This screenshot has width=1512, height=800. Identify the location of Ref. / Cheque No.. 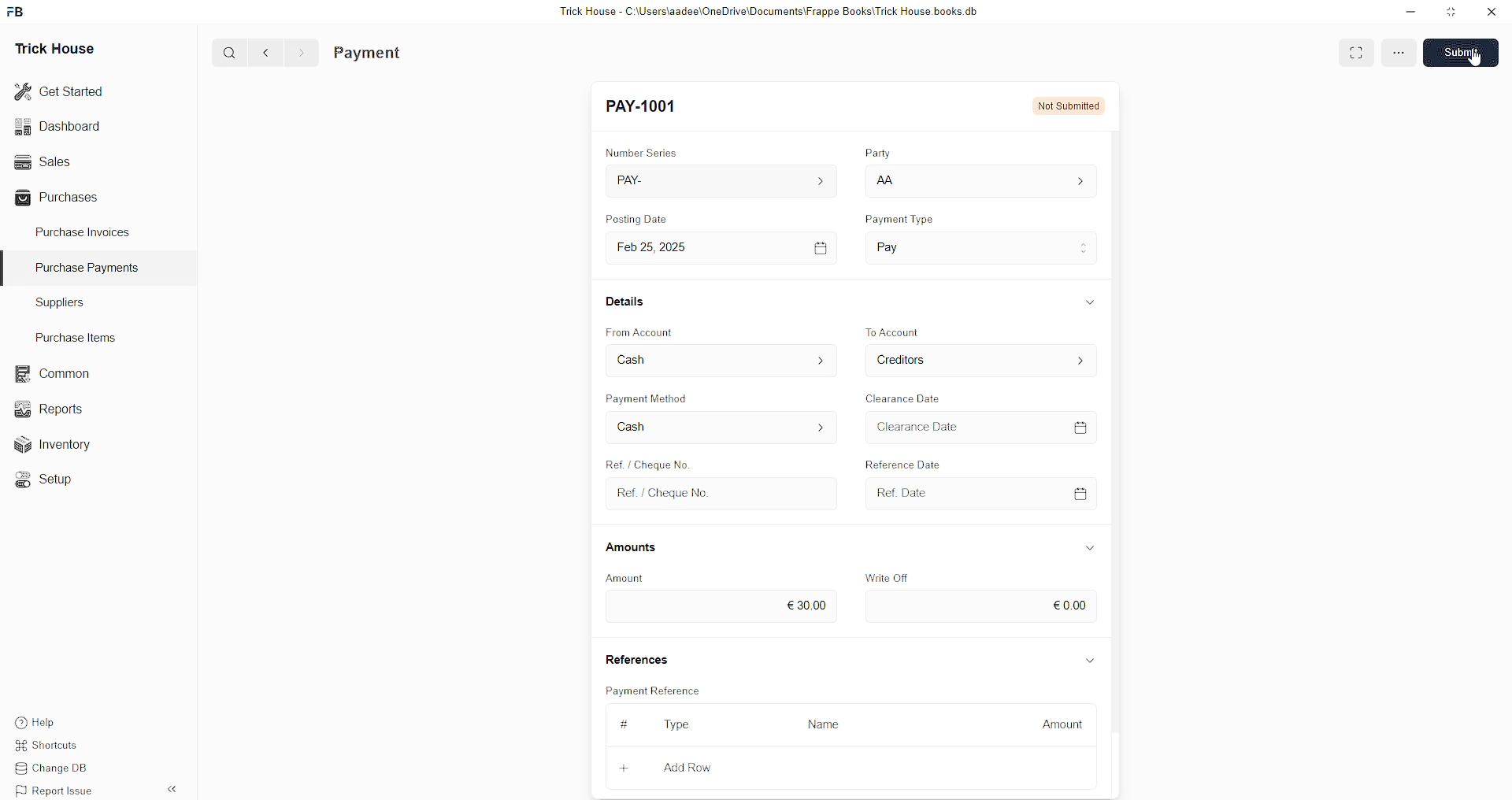
(643, 462).